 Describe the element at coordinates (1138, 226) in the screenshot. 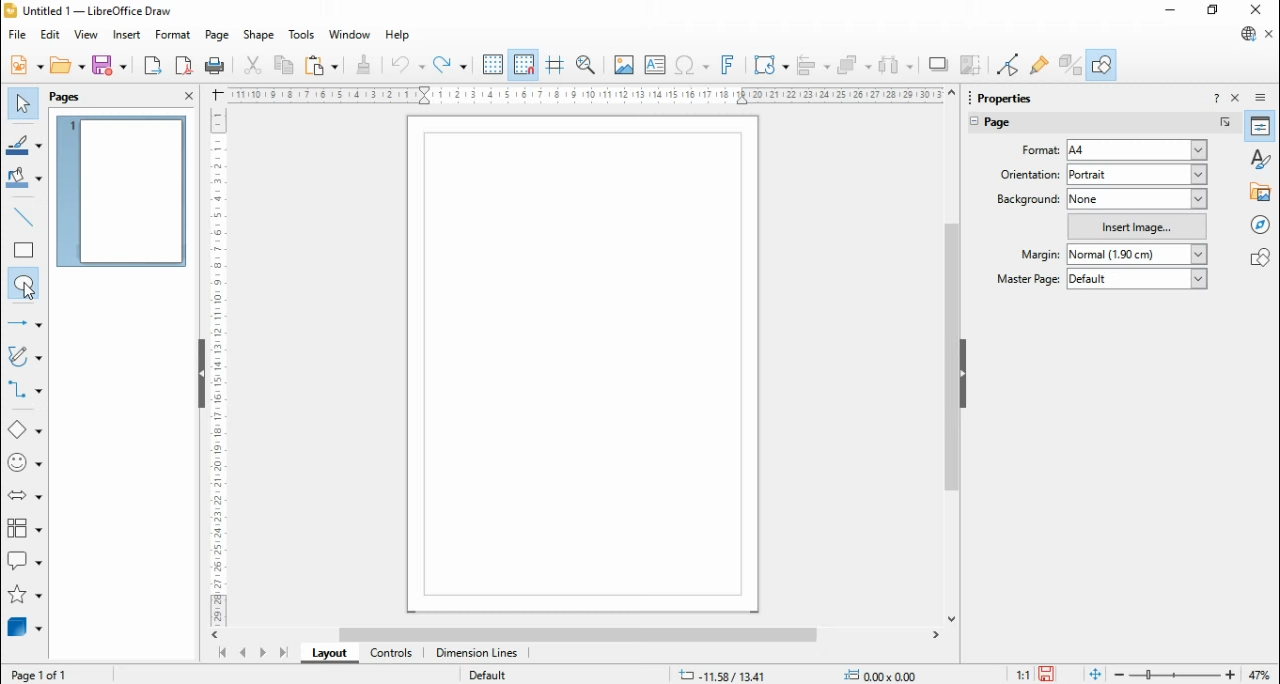

I see `insert image` at that location.